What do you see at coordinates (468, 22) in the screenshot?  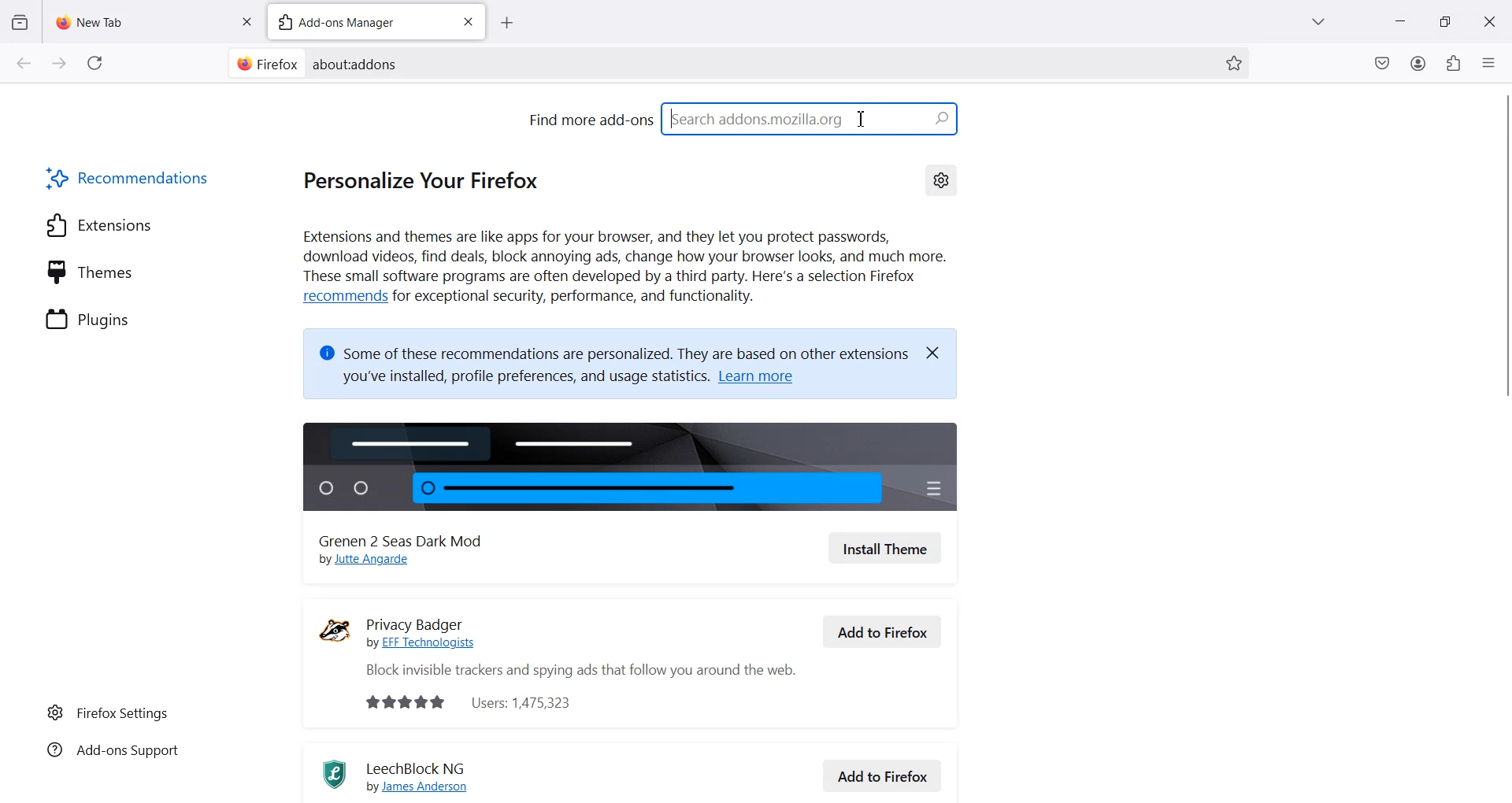 I see `Close tab` at bounding box center [468, 22].